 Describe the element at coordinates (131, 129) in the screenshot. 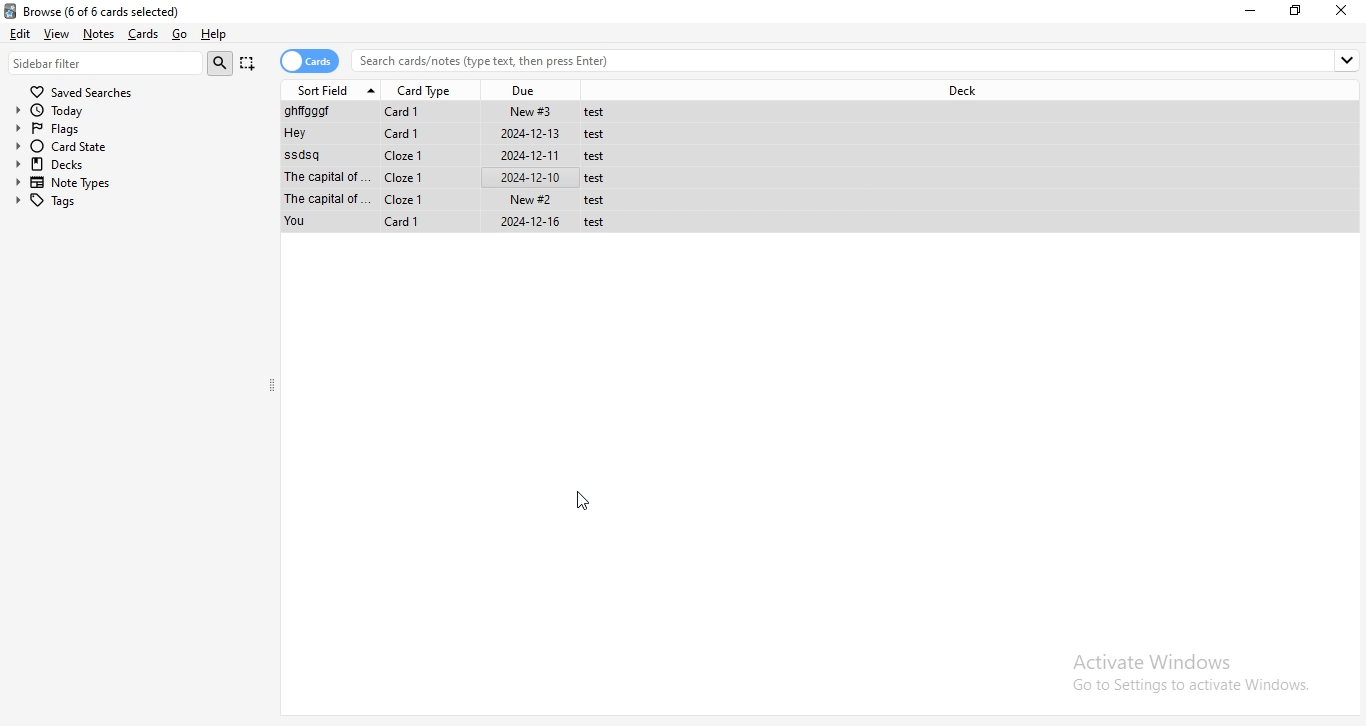

I see `flags` at that location.